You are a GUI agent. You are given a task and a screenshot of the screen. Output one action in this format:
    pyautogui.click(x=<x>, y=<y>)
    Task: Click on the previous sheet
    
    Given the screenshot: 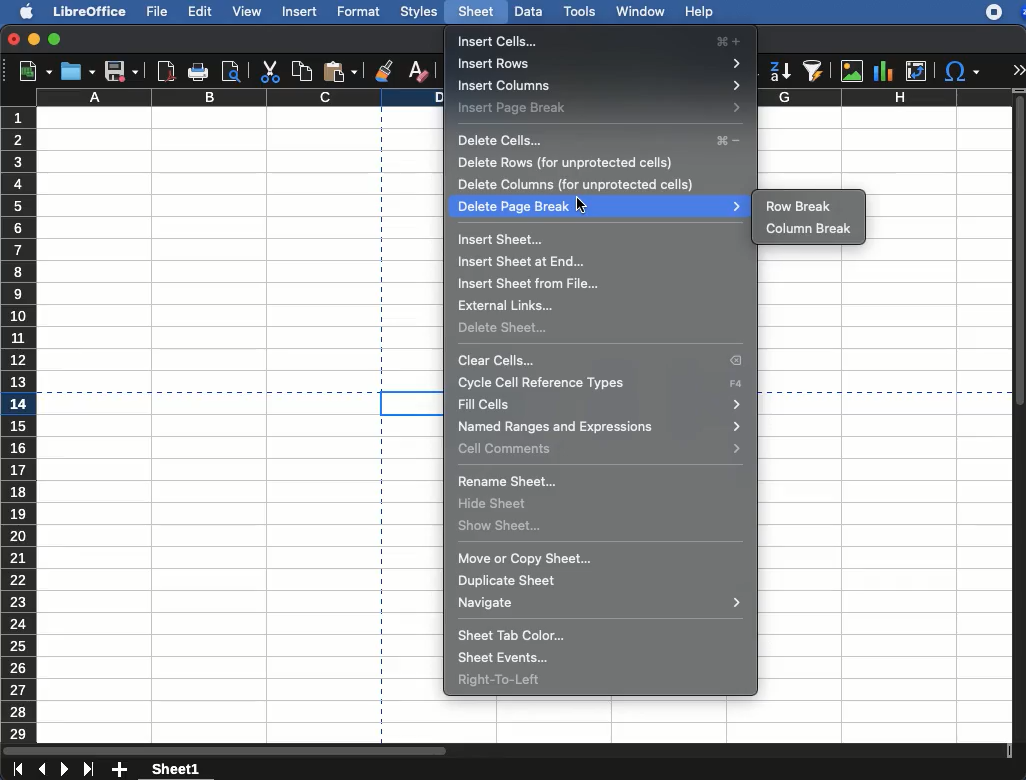 What is the action you would take?
    pyautogui.click(x=43, y=770)
    